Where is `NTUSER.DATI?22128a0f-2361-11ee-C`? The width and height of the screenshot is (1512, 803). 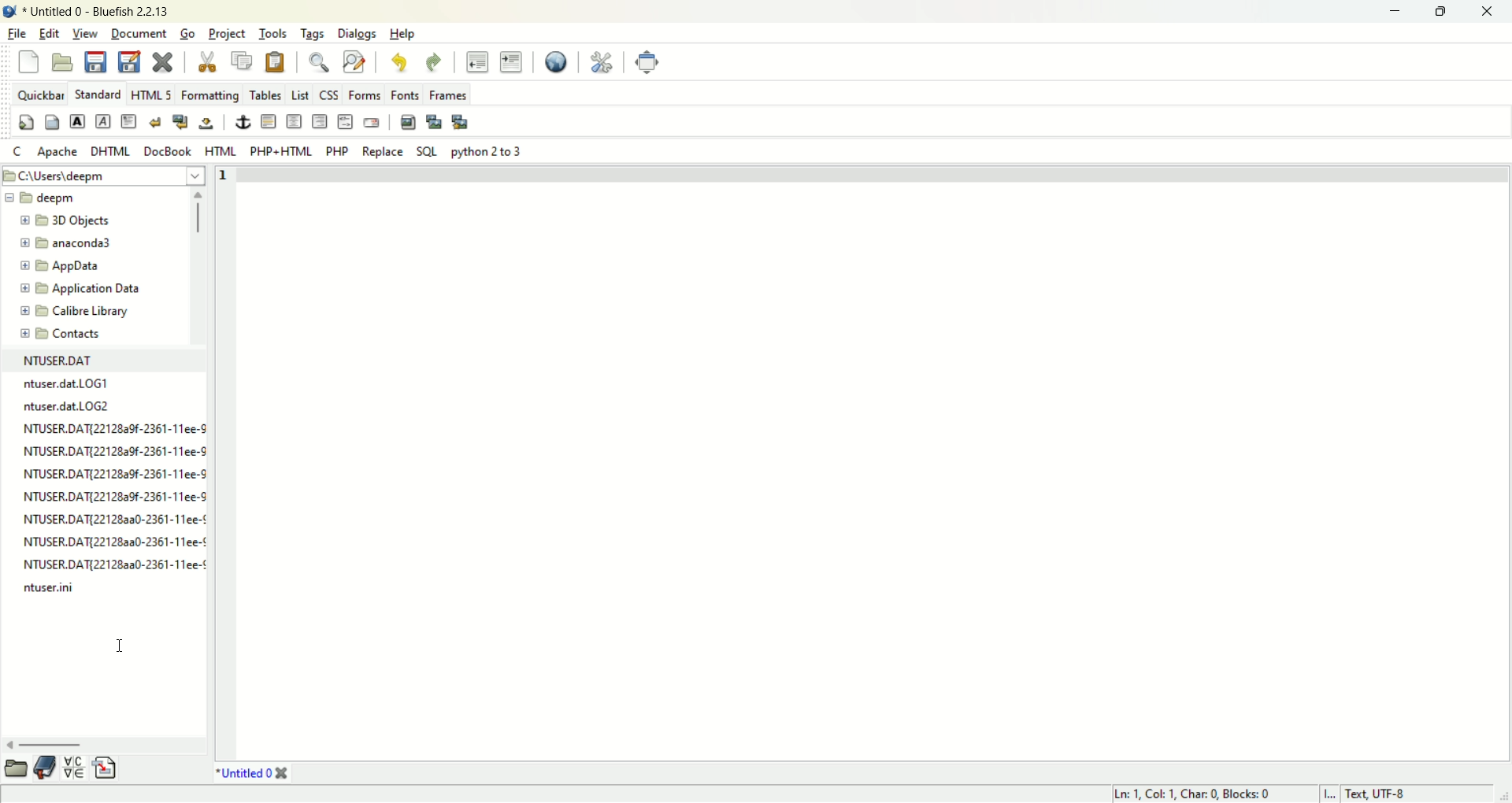
NTUSER.DATI?22128a0f-2361-11ee-C is located at coordinates (113, 472).